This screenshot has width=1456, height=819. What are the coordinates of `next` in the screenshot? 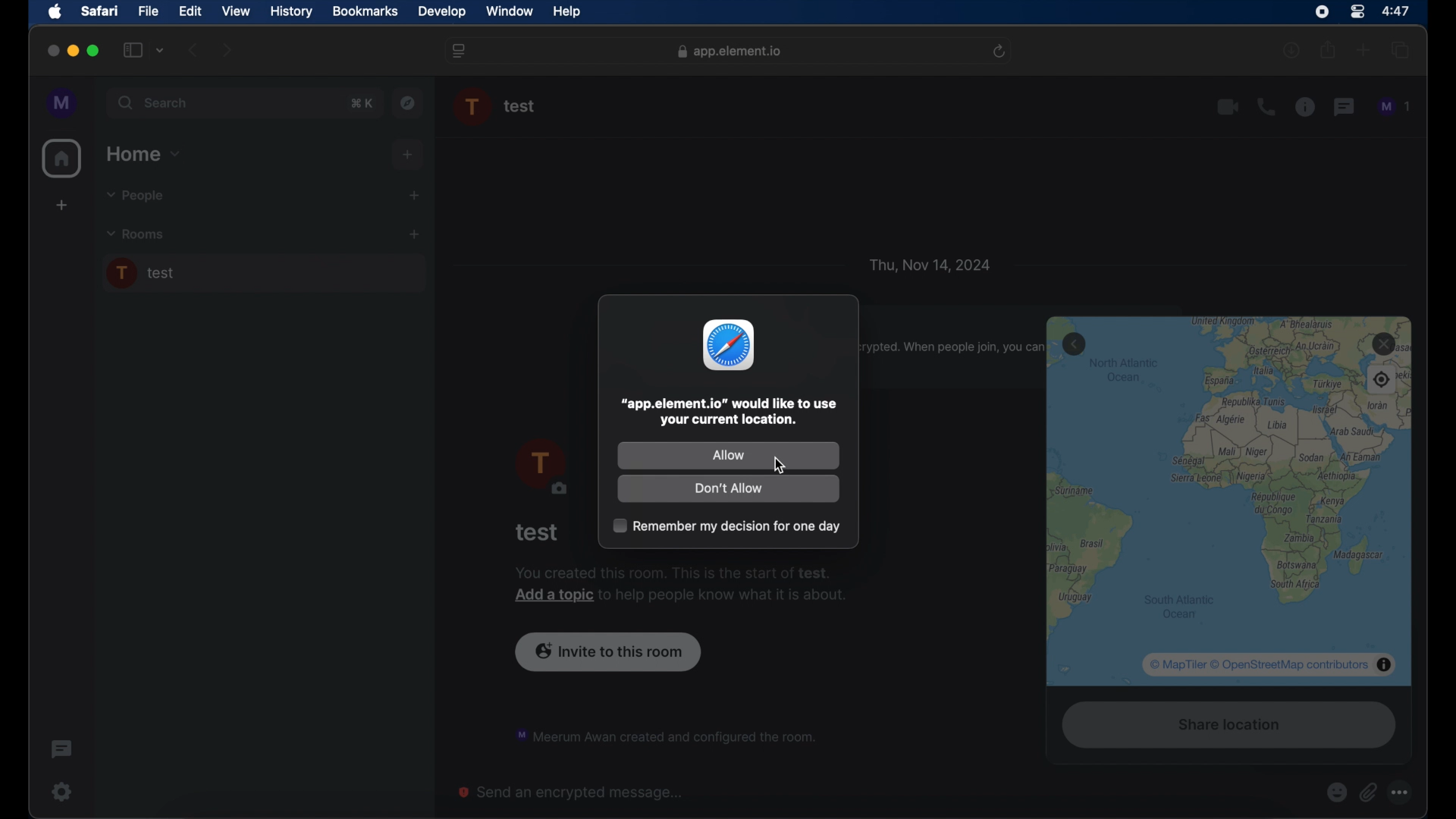 It's located at (227, 49).